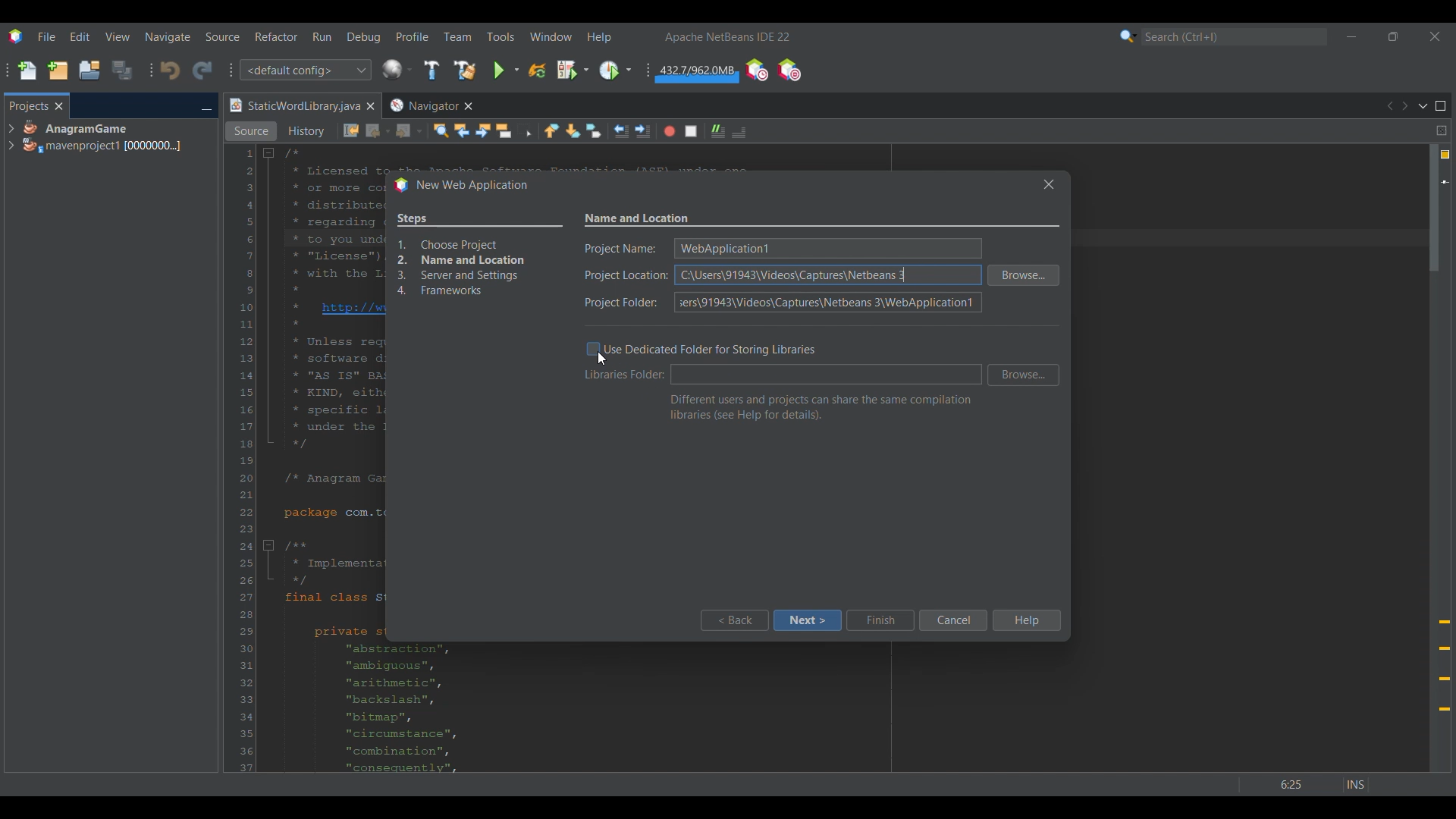 The image size is (1456, 819). What do you see at coordinates (305, 70) in the screenshot?
I see `Configuration options` at bounding box center [305, 70].